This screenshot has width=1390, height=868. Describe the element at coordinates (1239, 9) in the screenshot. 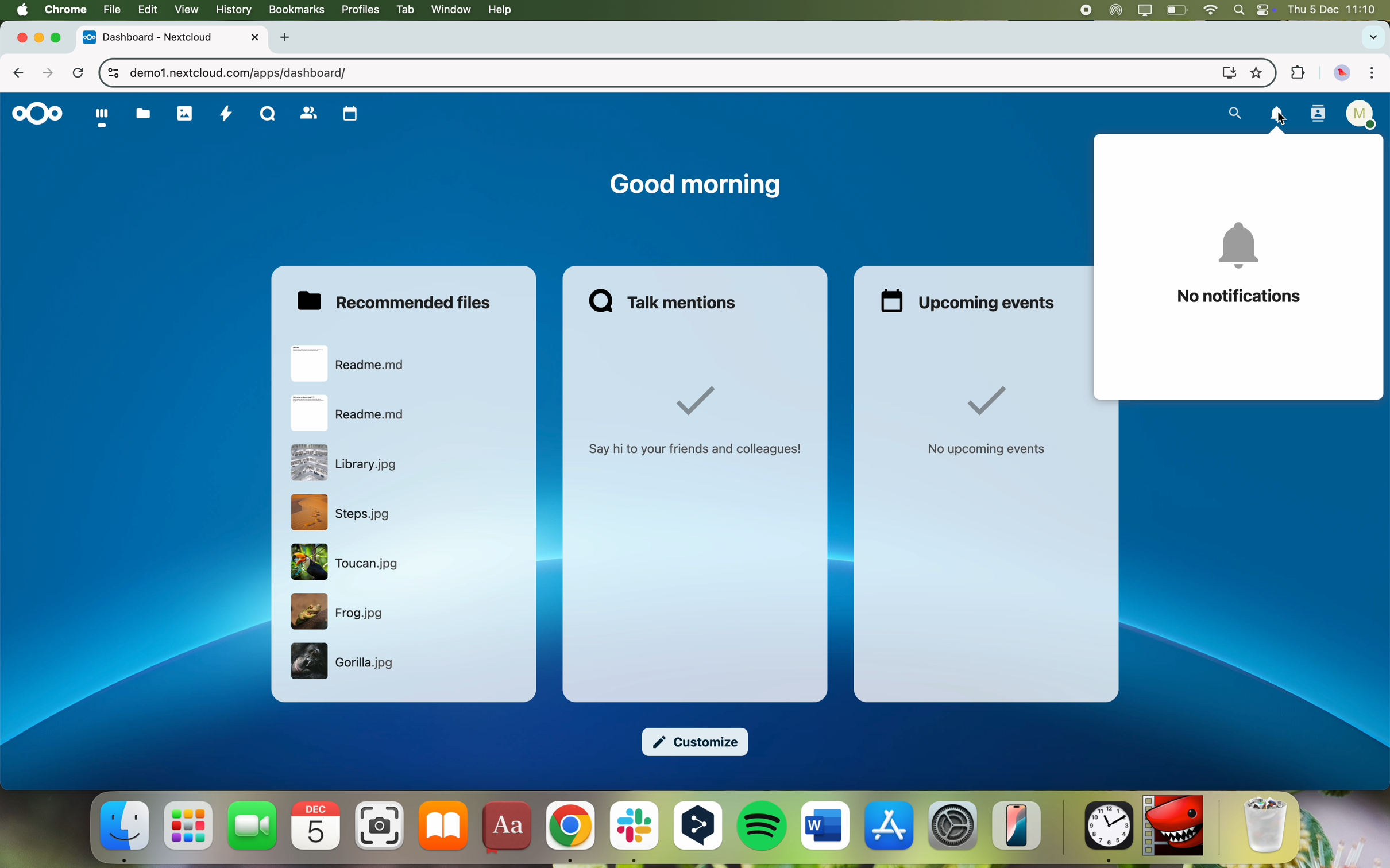

I see `spotlight search` at that location.